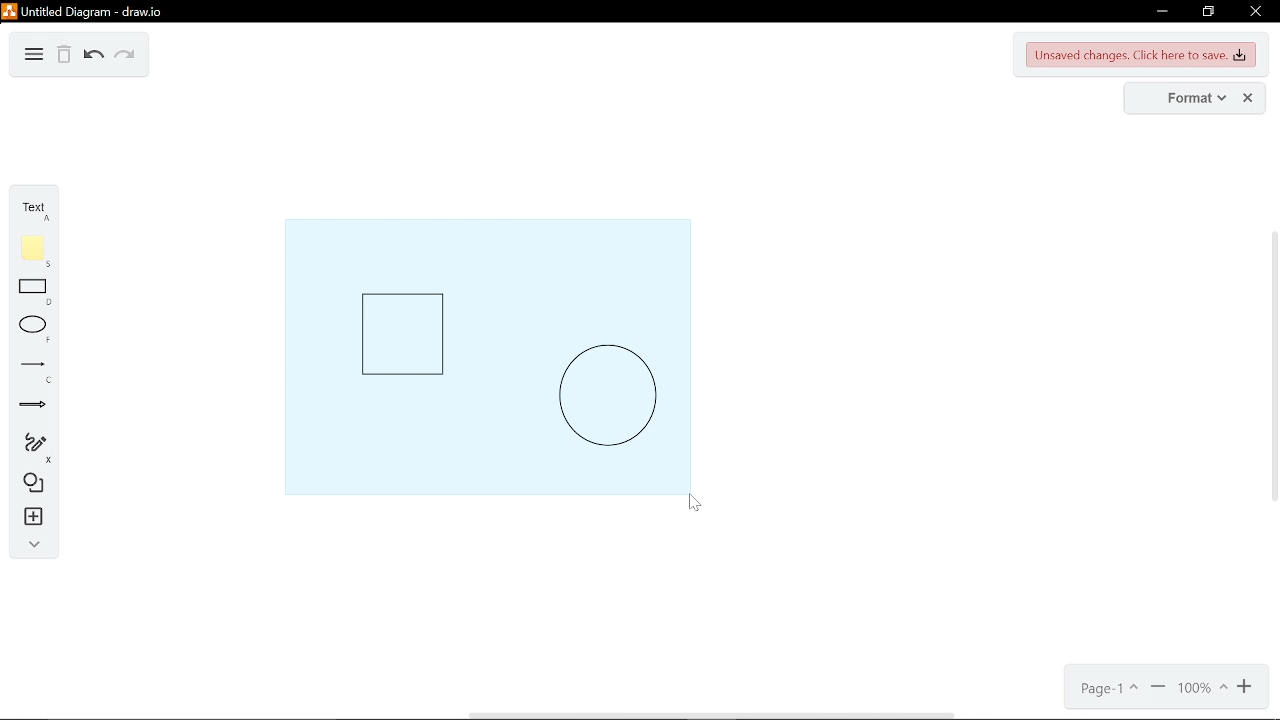 The height and width of the screenshot is (720, 1280). I want to click on minimize, so click(1160, 13).